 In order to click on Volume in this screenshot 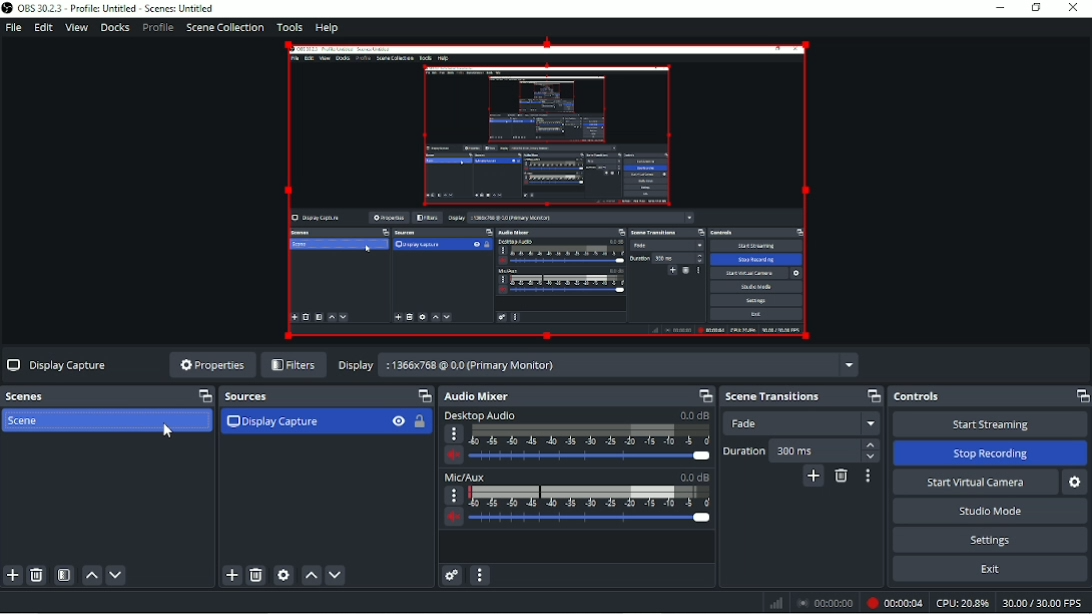, I will do `click(453, 519)`.